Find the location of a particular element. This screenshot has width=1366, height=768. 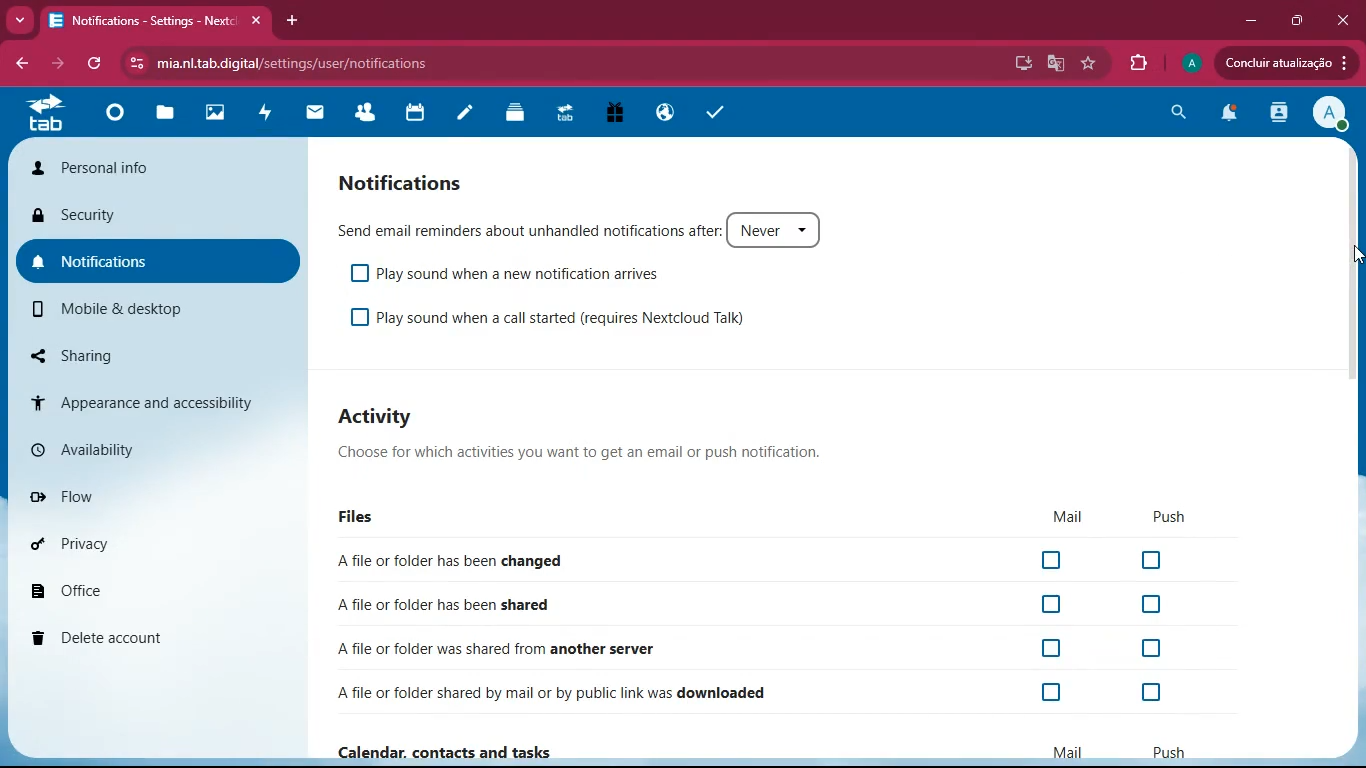

Play sound when a call started is located at coordinates (560, 322).